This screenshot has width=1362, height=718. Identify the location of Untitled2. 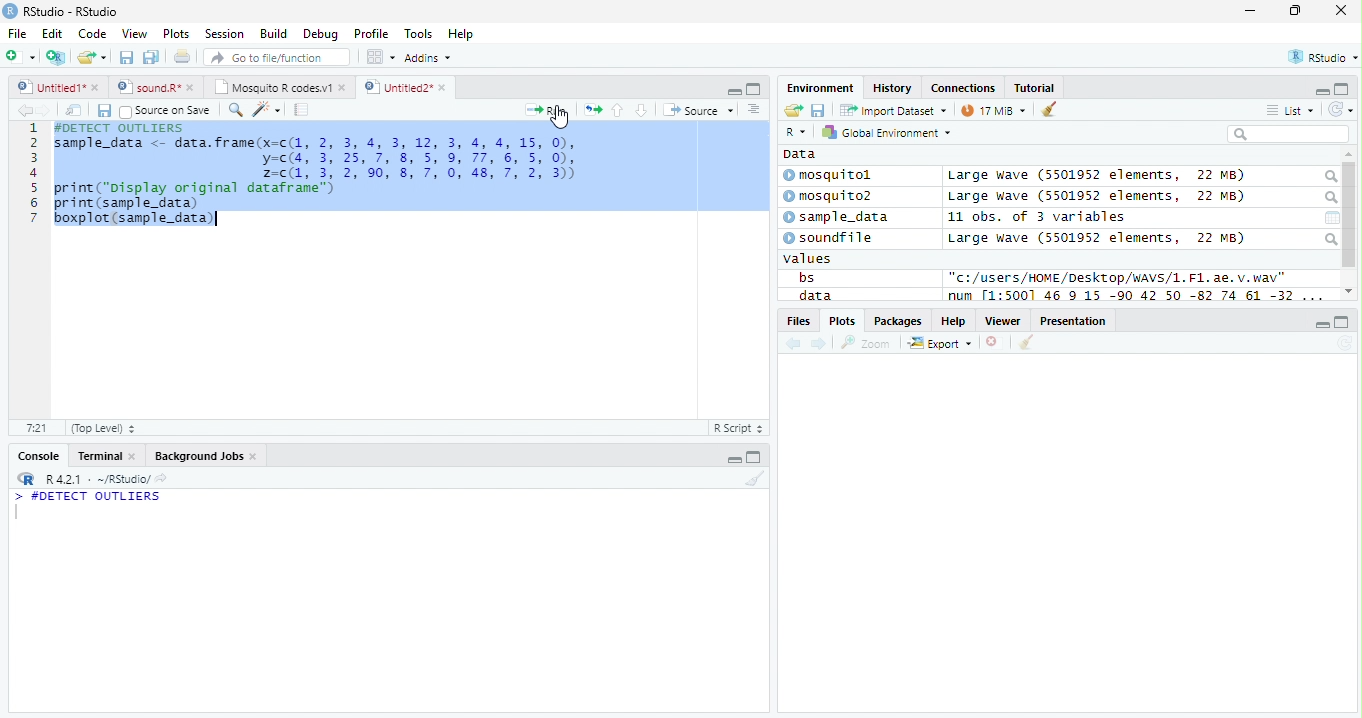
(405, 88).